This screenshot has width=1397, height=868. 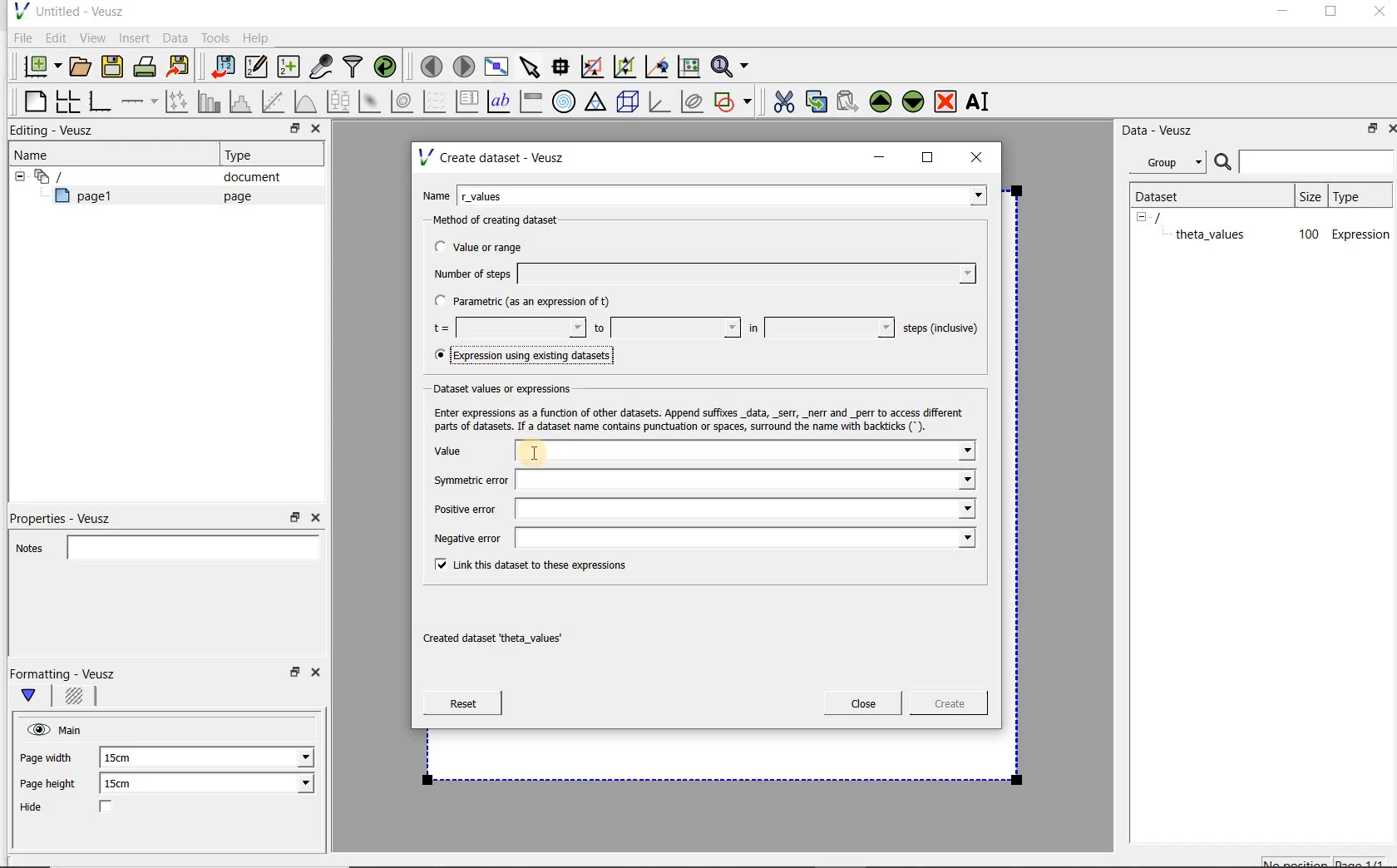 I want to click on Data, so click(x=176, y=37).